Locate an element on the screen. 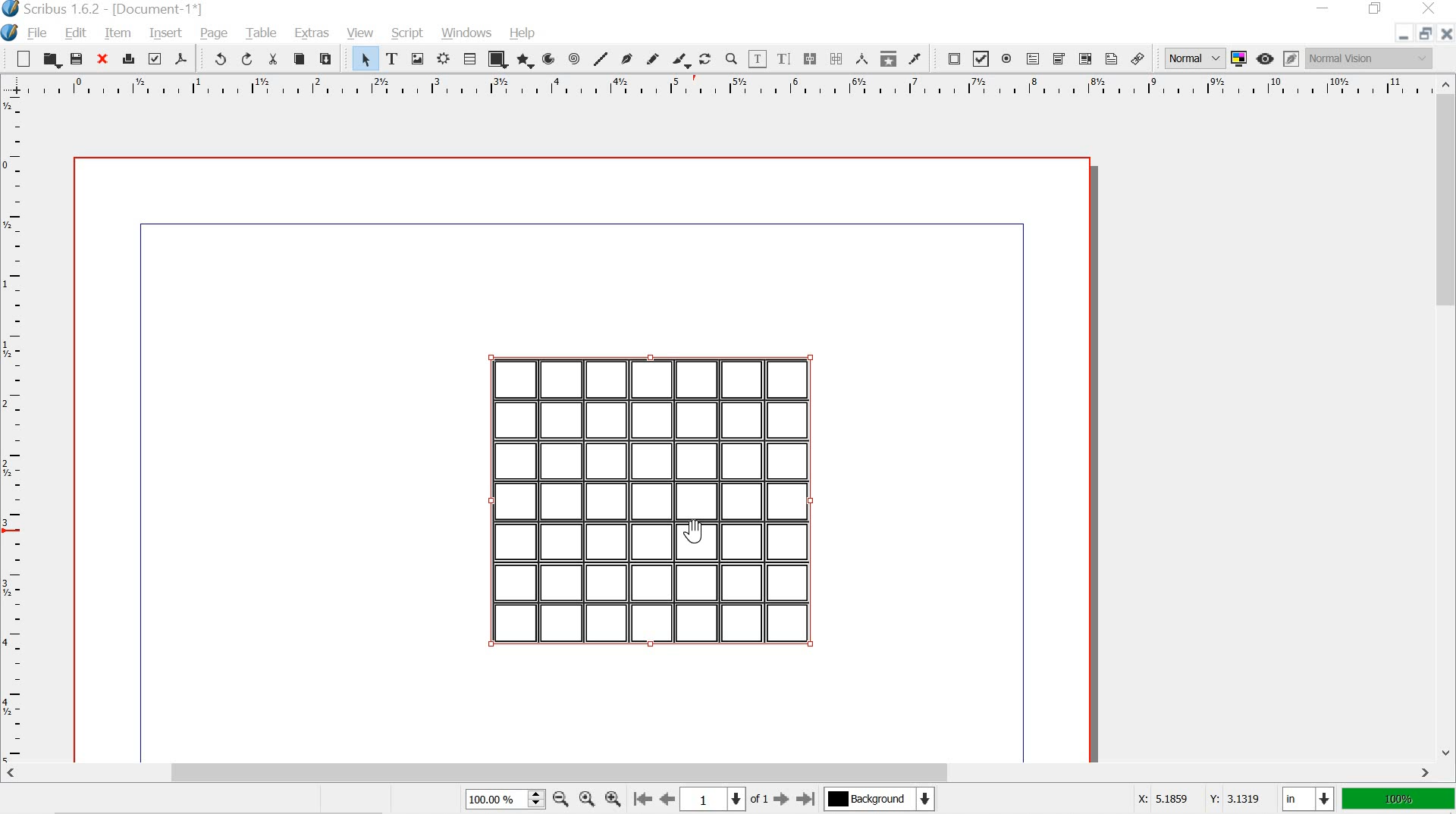  image frame is located at coordinates (417, 58).